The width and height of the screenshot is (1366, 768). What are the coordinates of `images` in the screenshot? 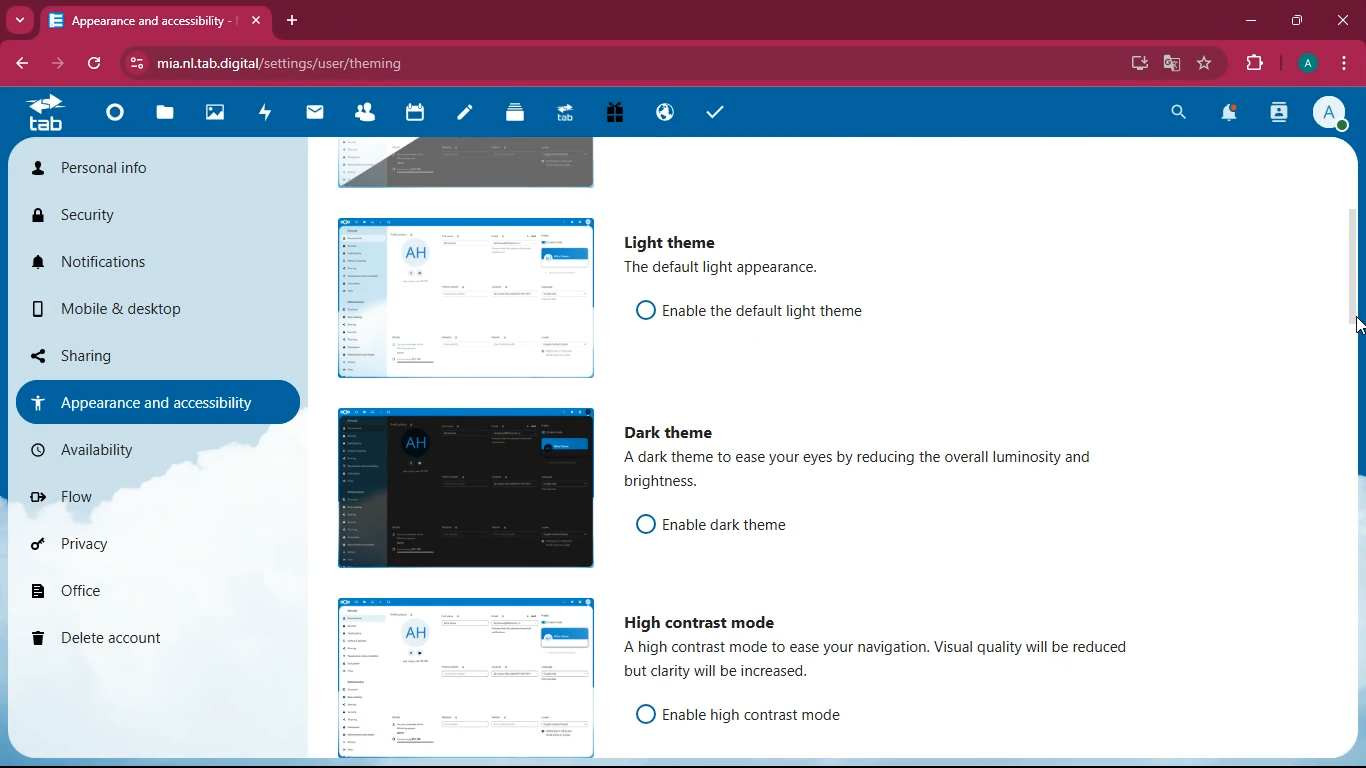 It's located at (211, 114).